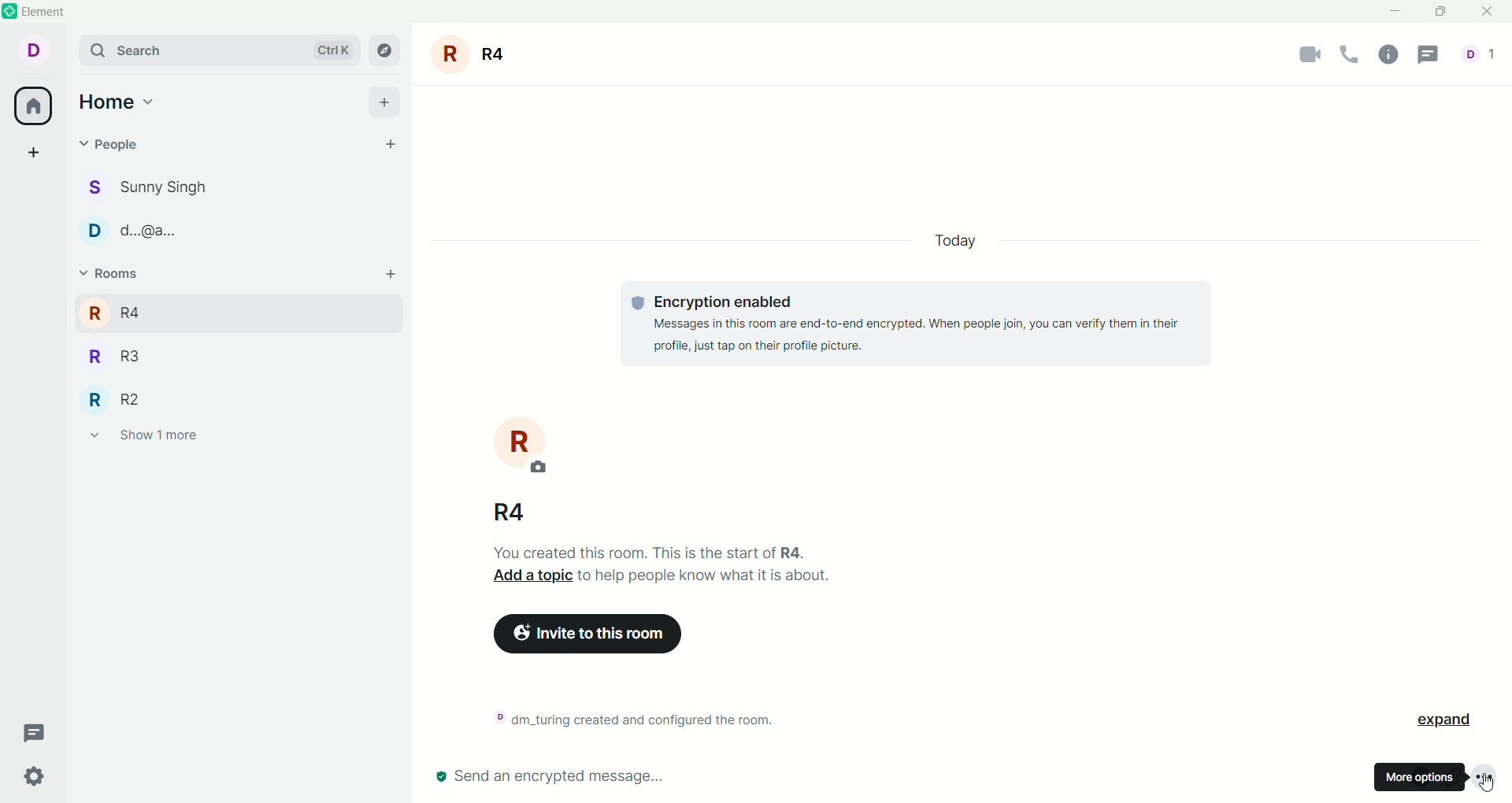 The height and width of the screenshot is (803, 1512). I want to click on explore rooms, so click(386, 50).